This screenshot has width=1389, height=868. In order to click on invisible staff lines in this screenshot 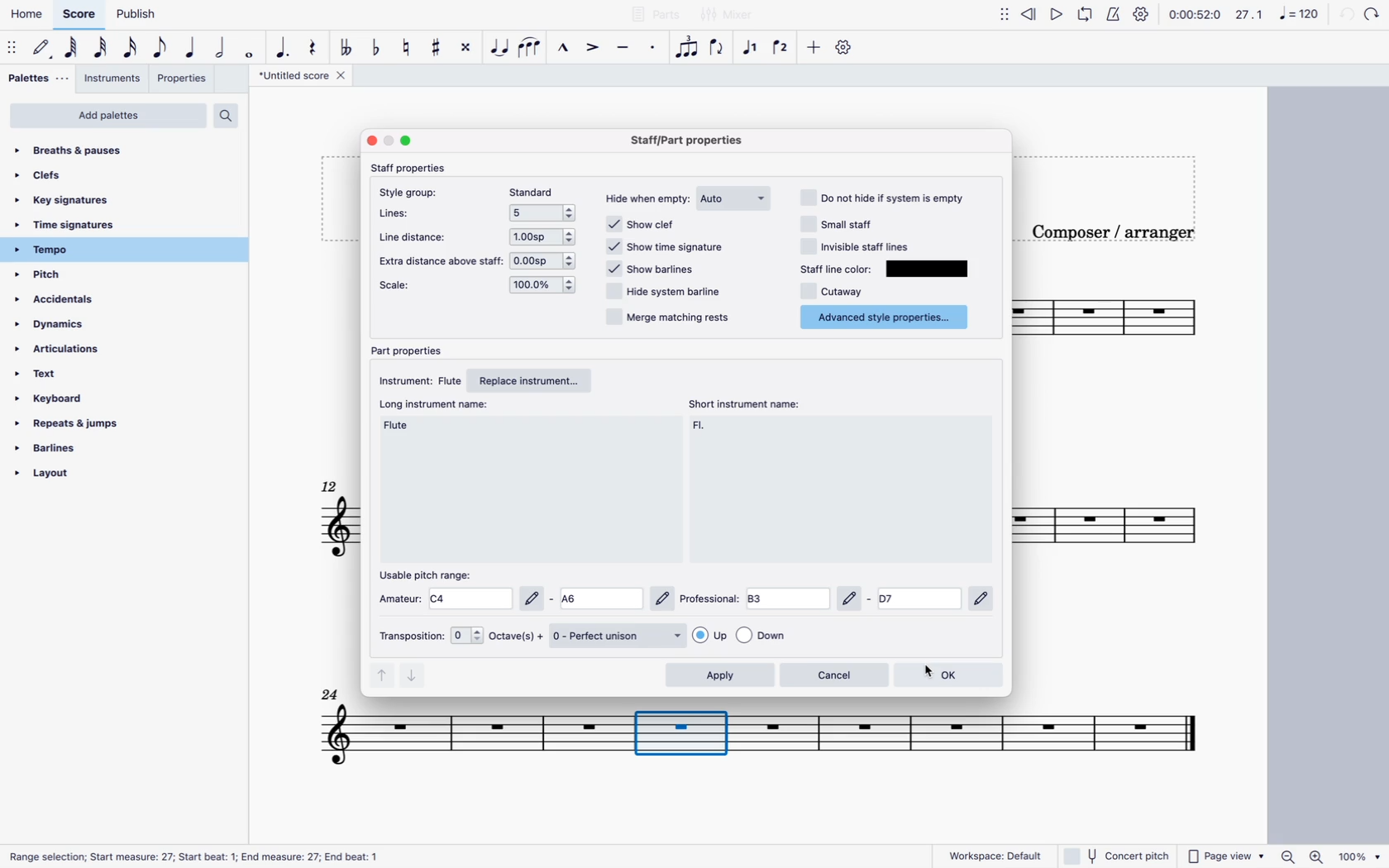, I will do `click(857, 246)`.